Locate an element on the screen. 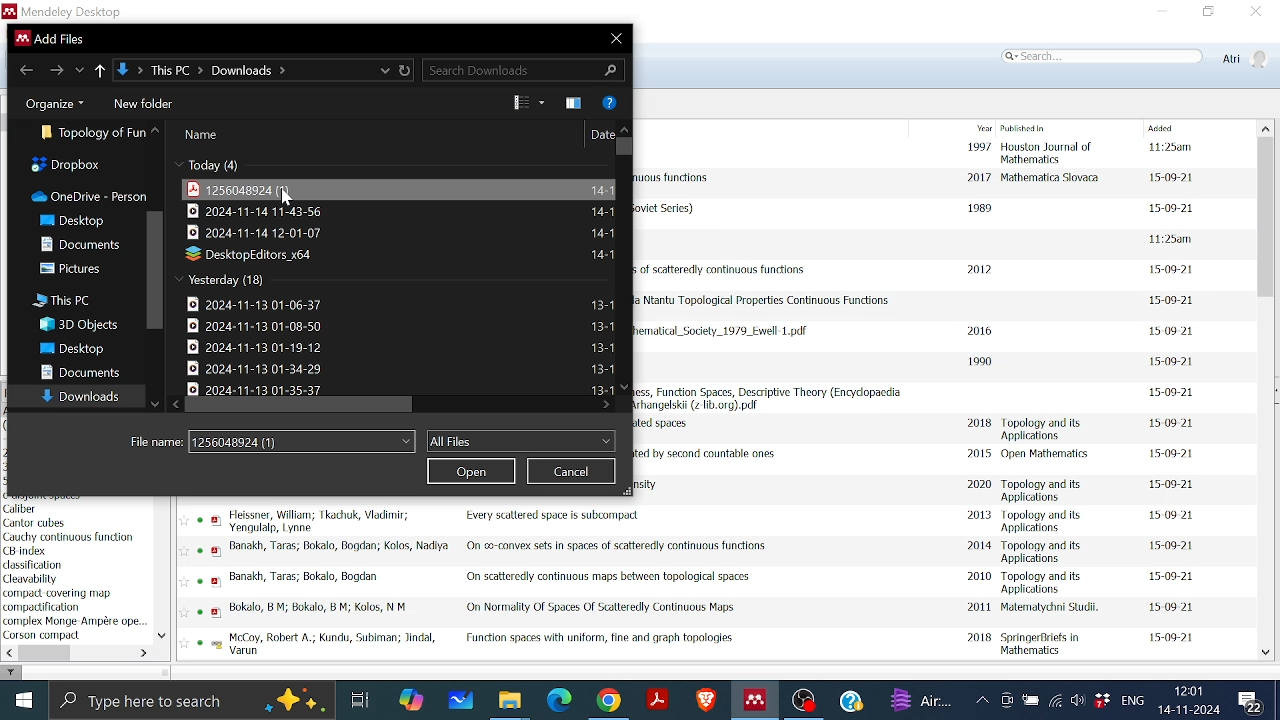 The height and width of the screenshot is (720, 1280). pdf is located at coordinates (216, 610).